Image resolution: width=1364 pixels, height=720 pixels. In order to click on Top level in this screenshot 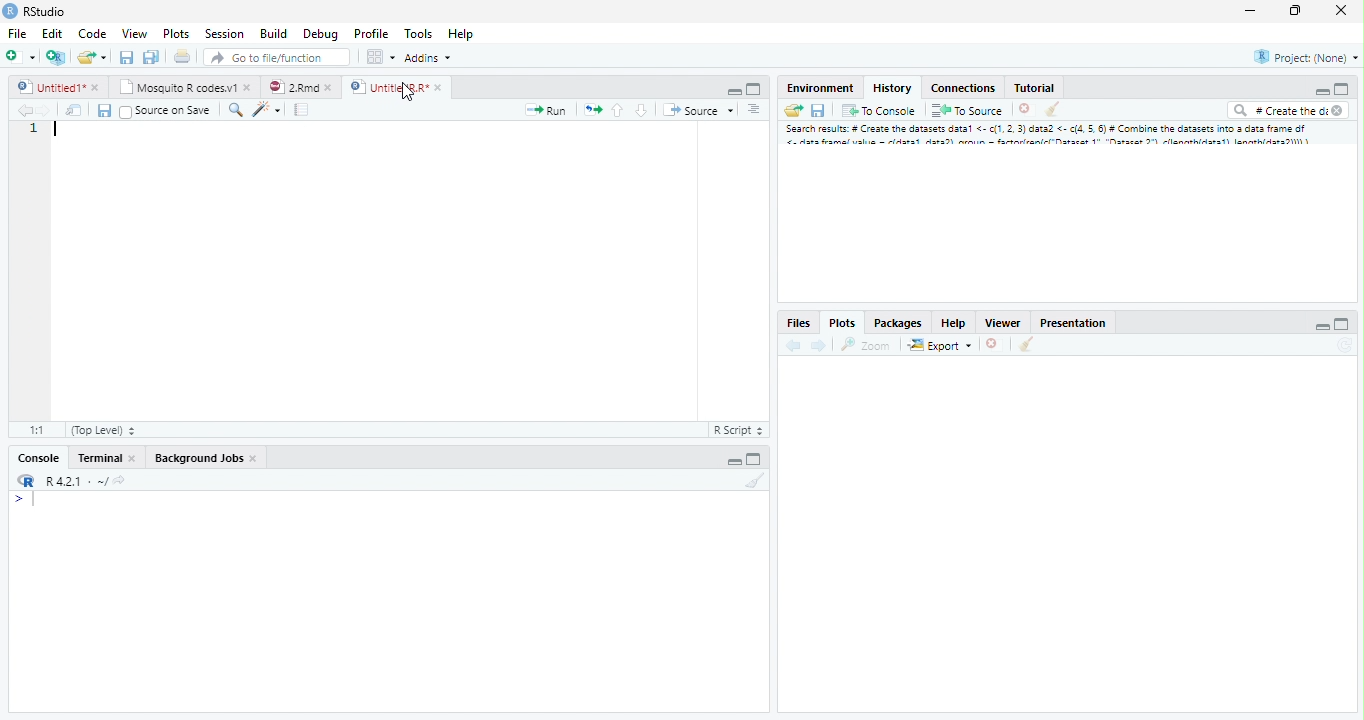, I will do `click(105, 428)`.